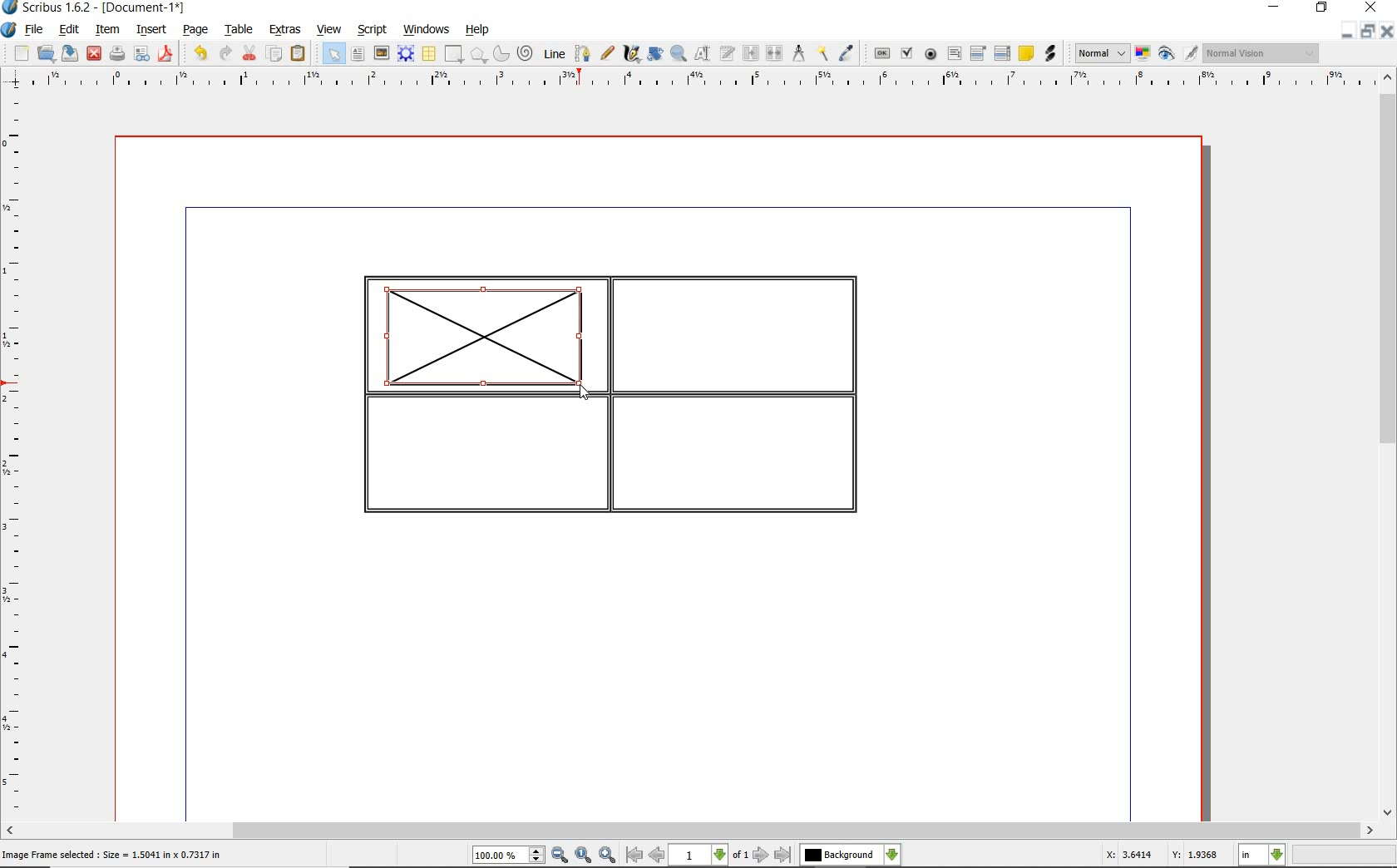 This screenshot has width=1397, height=868. Describe the element at coordinates (656, 856) in the screenshot. I see `go to previous page` at that location.